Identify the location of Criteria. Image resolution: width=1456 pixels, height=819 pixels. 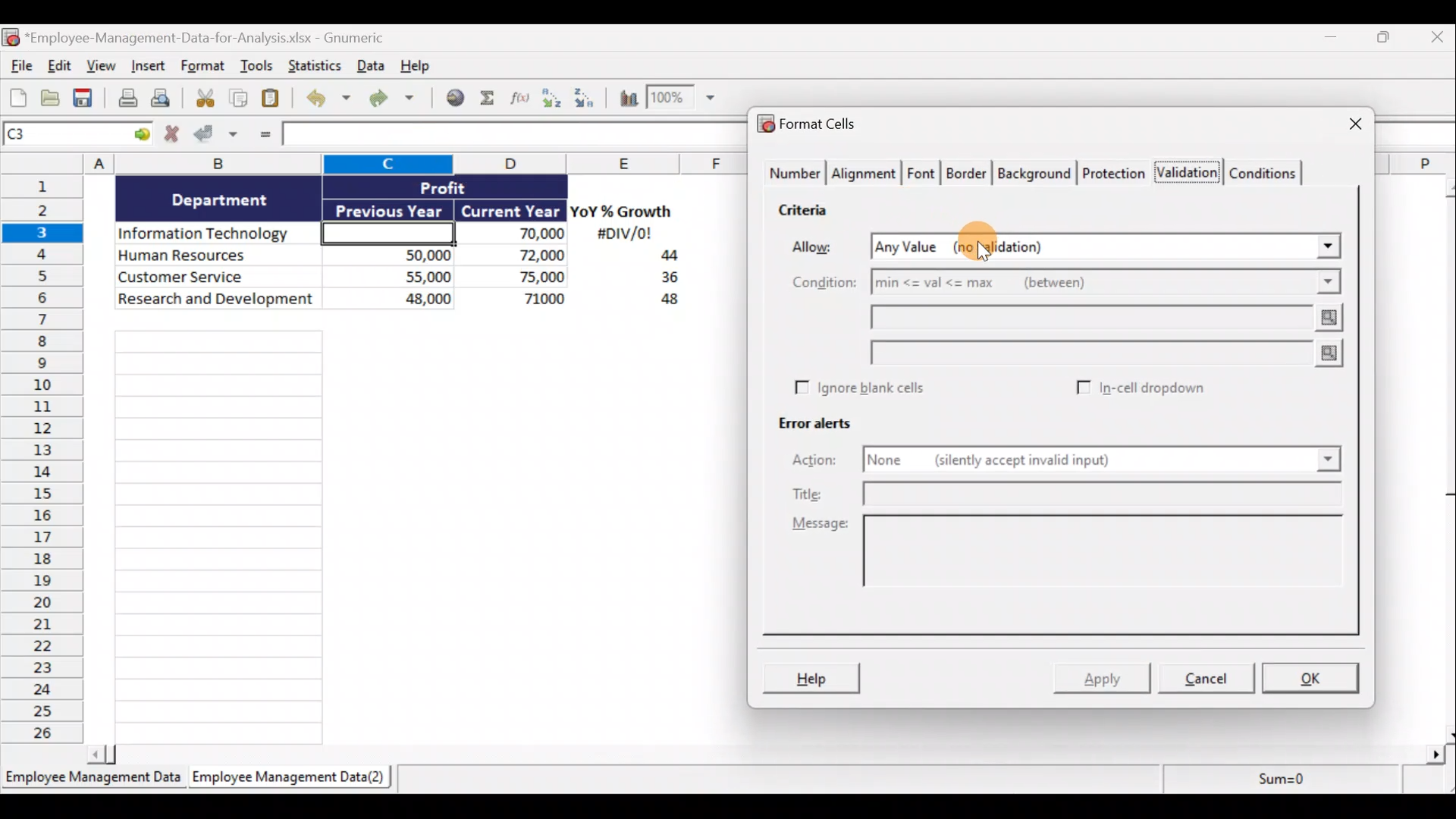
(805, 212).